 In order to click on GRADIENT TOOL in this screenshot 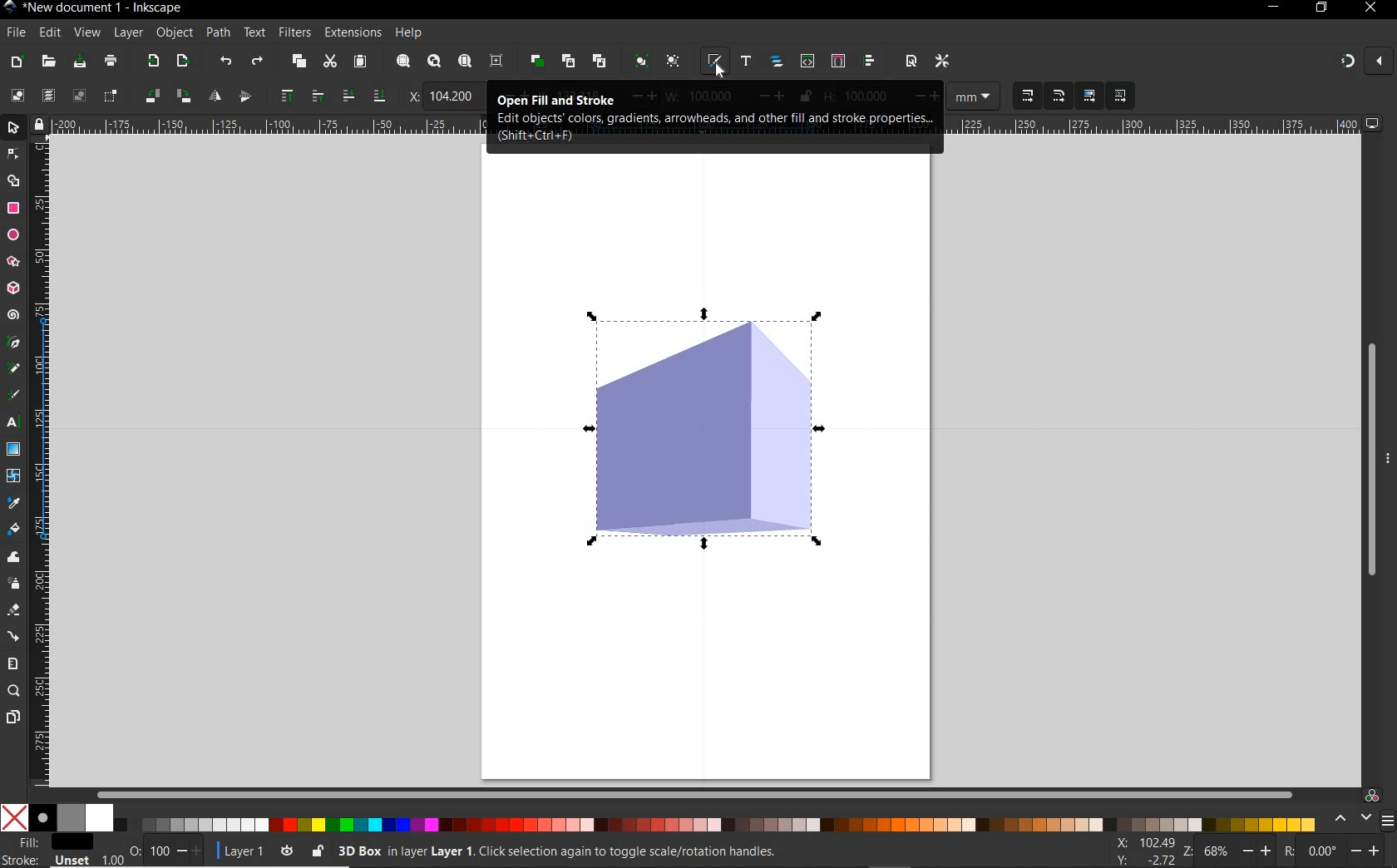, I will do `click(14, 451)`.